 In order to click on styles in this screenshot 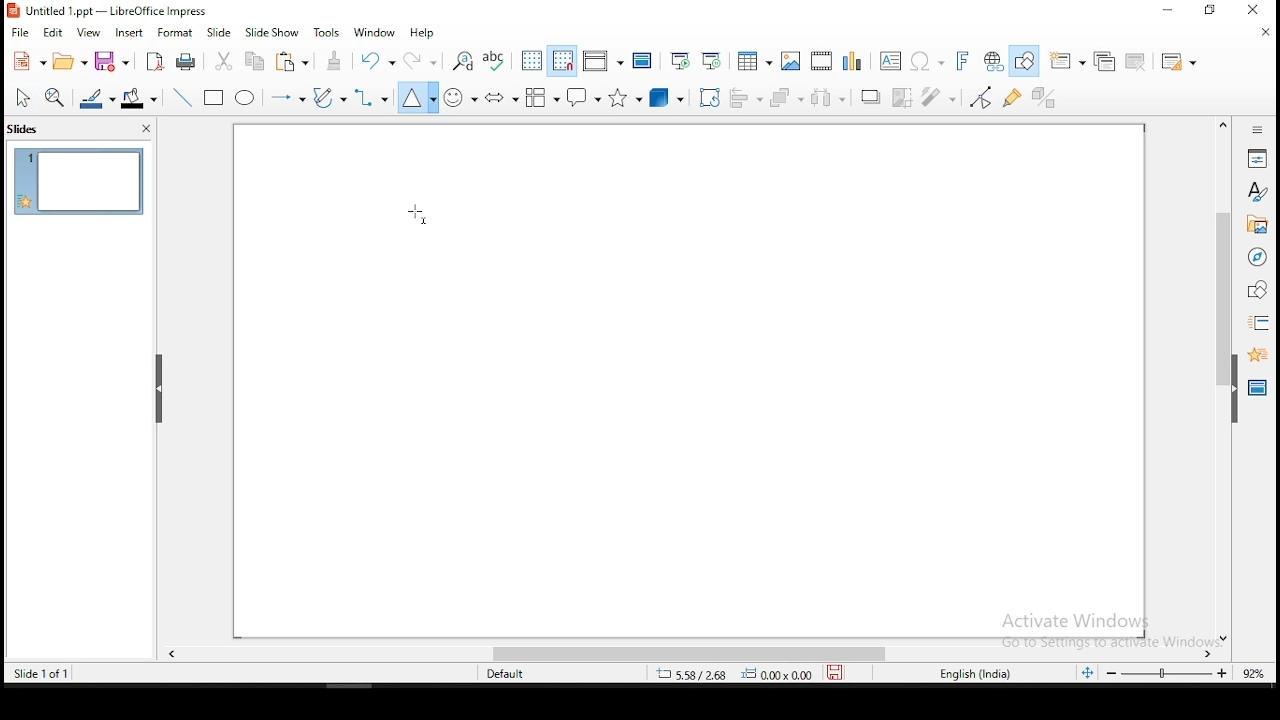, I will do `click(1258, 194)`.